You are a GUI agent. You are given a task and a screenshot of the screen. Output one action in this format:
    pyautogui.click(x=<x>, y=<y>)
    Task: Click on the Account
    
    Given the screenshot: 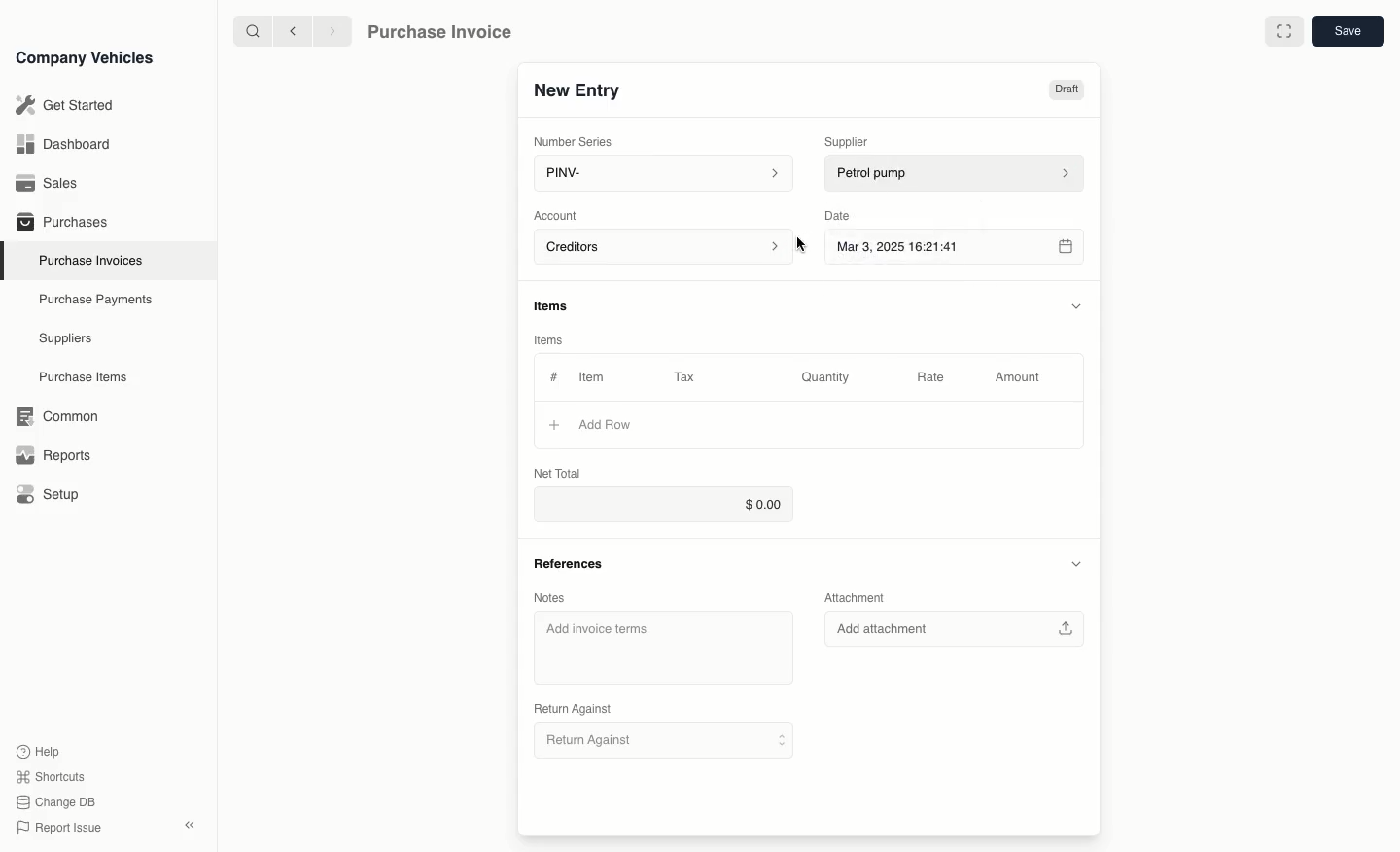 What is the action you would take?
    pyautogui.click(x=660, y=247)
    